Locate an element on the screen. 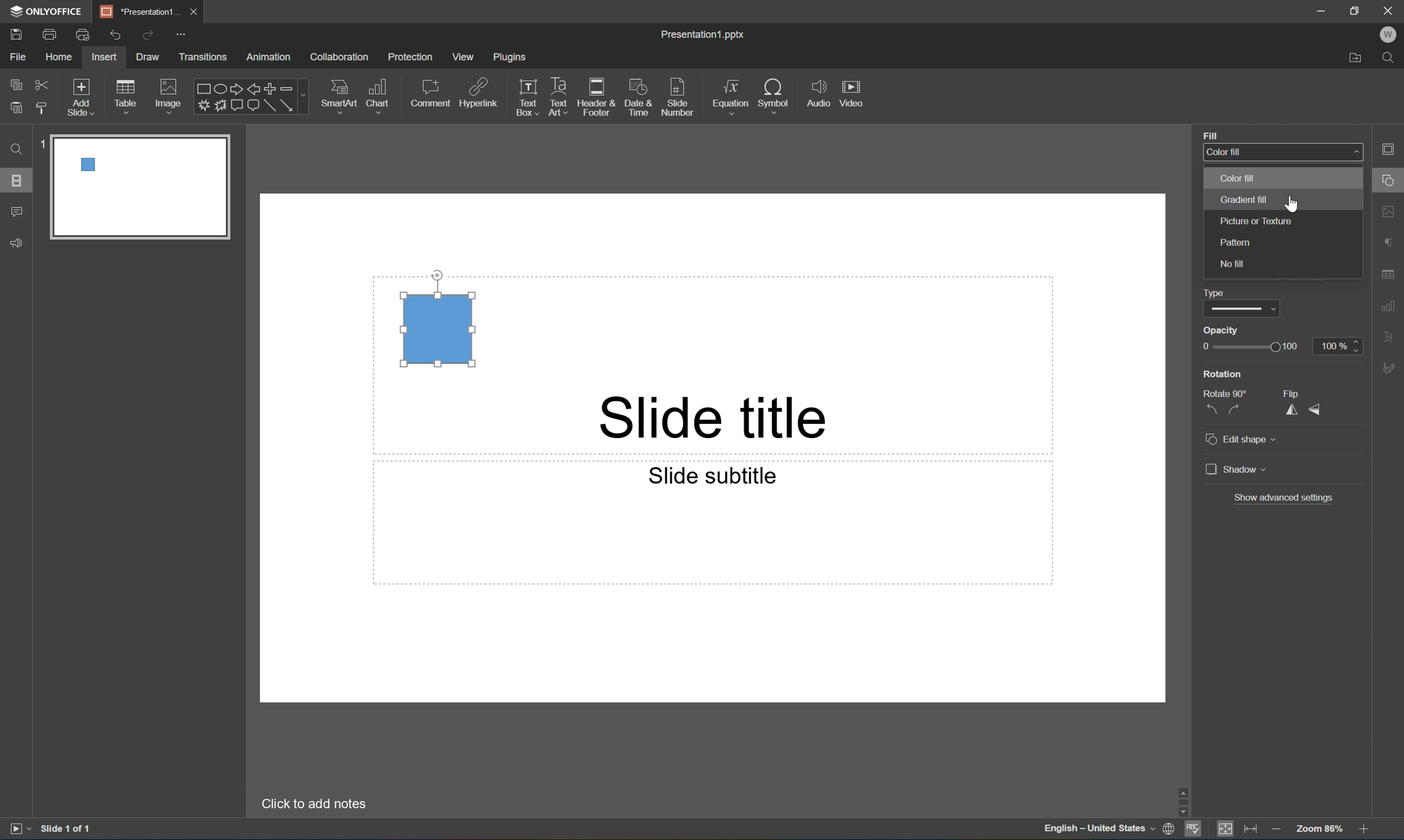 This screenshot has width=1404, height=840. 1 is located at coordinates (43, 144).